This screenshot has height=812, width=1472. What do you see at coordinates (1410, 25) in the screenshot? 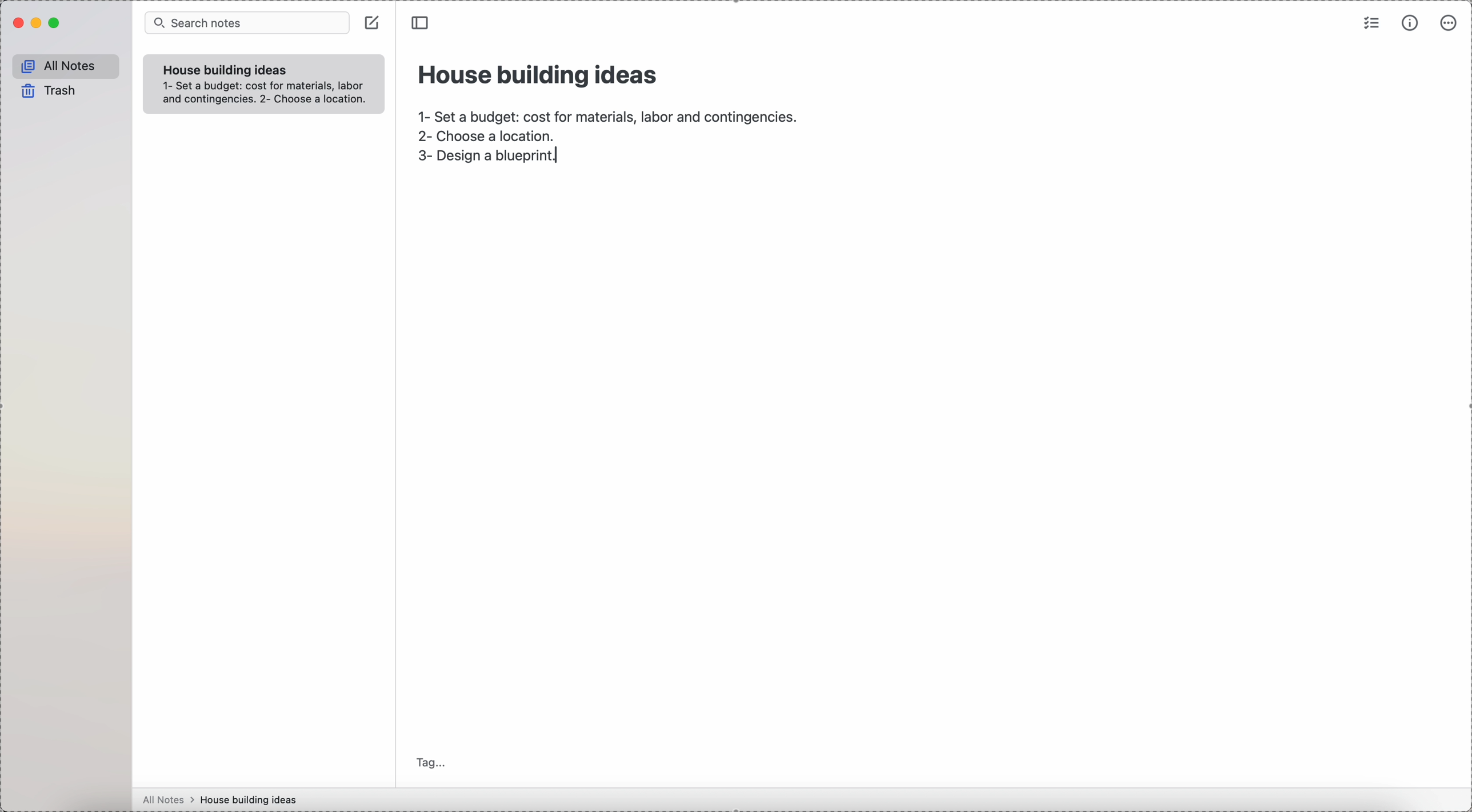
I see `metrics` at bounding box center [1410, 25].